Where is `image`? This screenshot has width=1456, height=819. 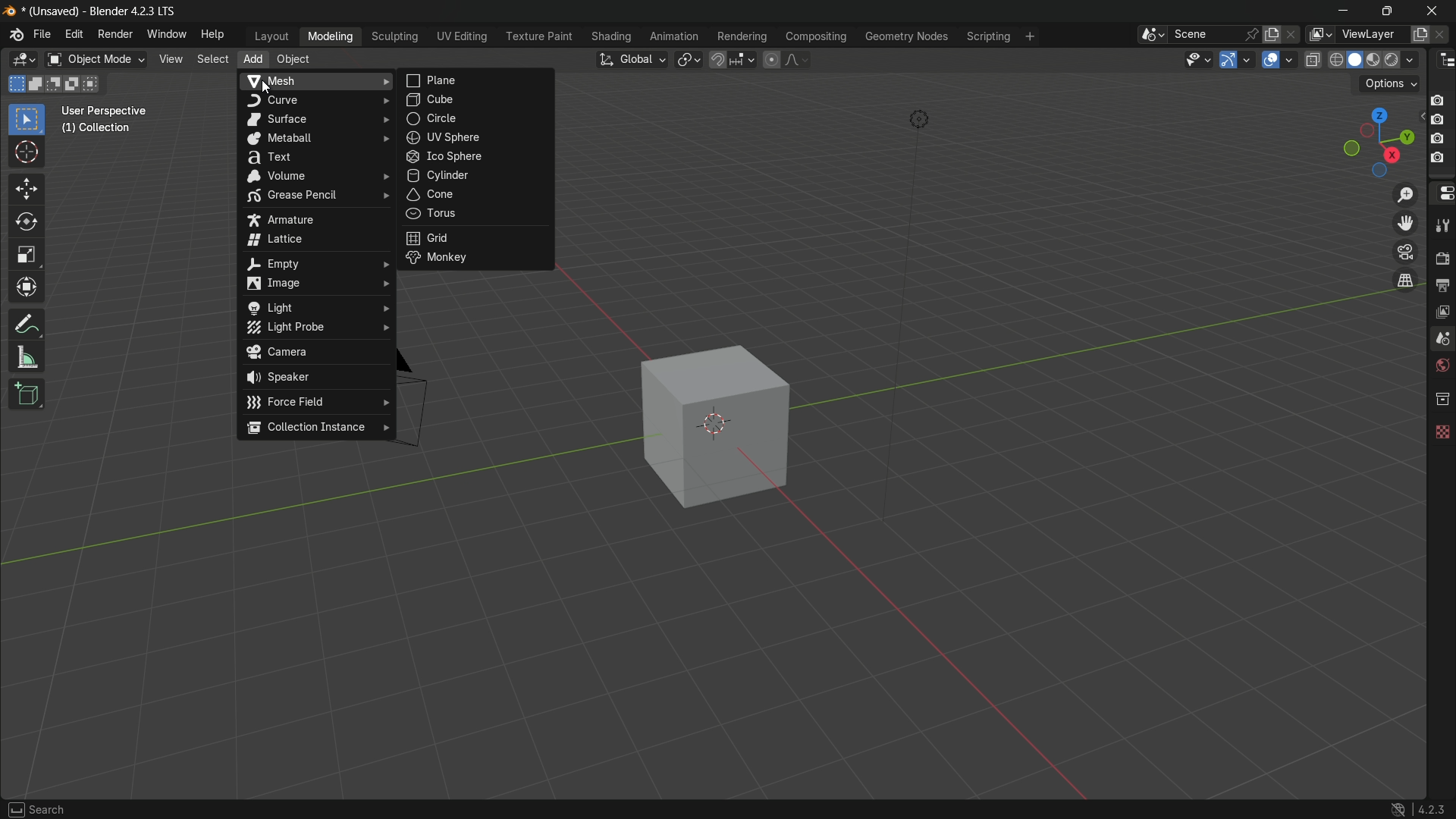
image is located at coordinates (317, 285).